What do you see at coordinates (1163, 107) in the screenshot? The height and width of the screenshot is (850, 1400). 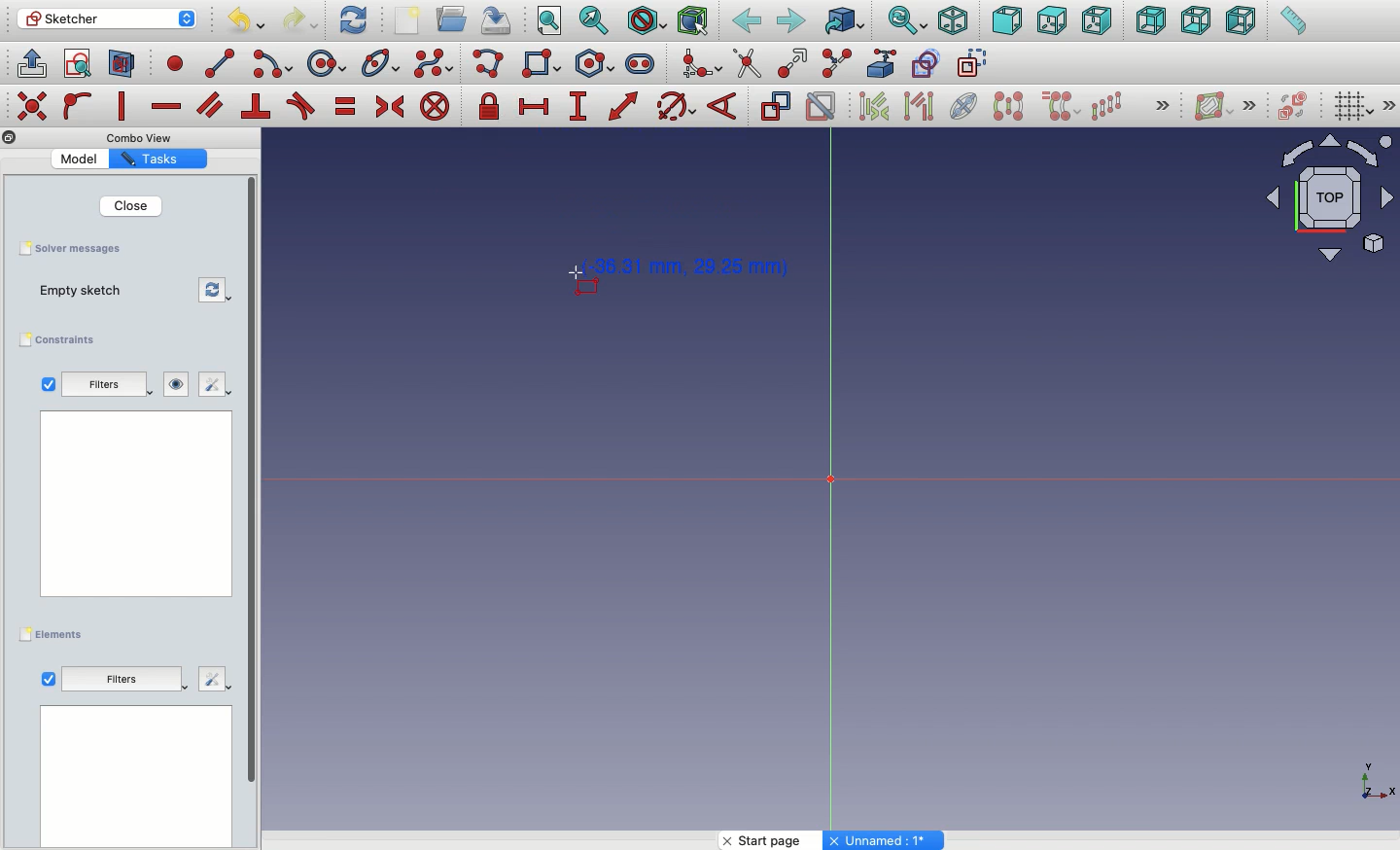 I see `Expand` at bounding box center [1163, 107].